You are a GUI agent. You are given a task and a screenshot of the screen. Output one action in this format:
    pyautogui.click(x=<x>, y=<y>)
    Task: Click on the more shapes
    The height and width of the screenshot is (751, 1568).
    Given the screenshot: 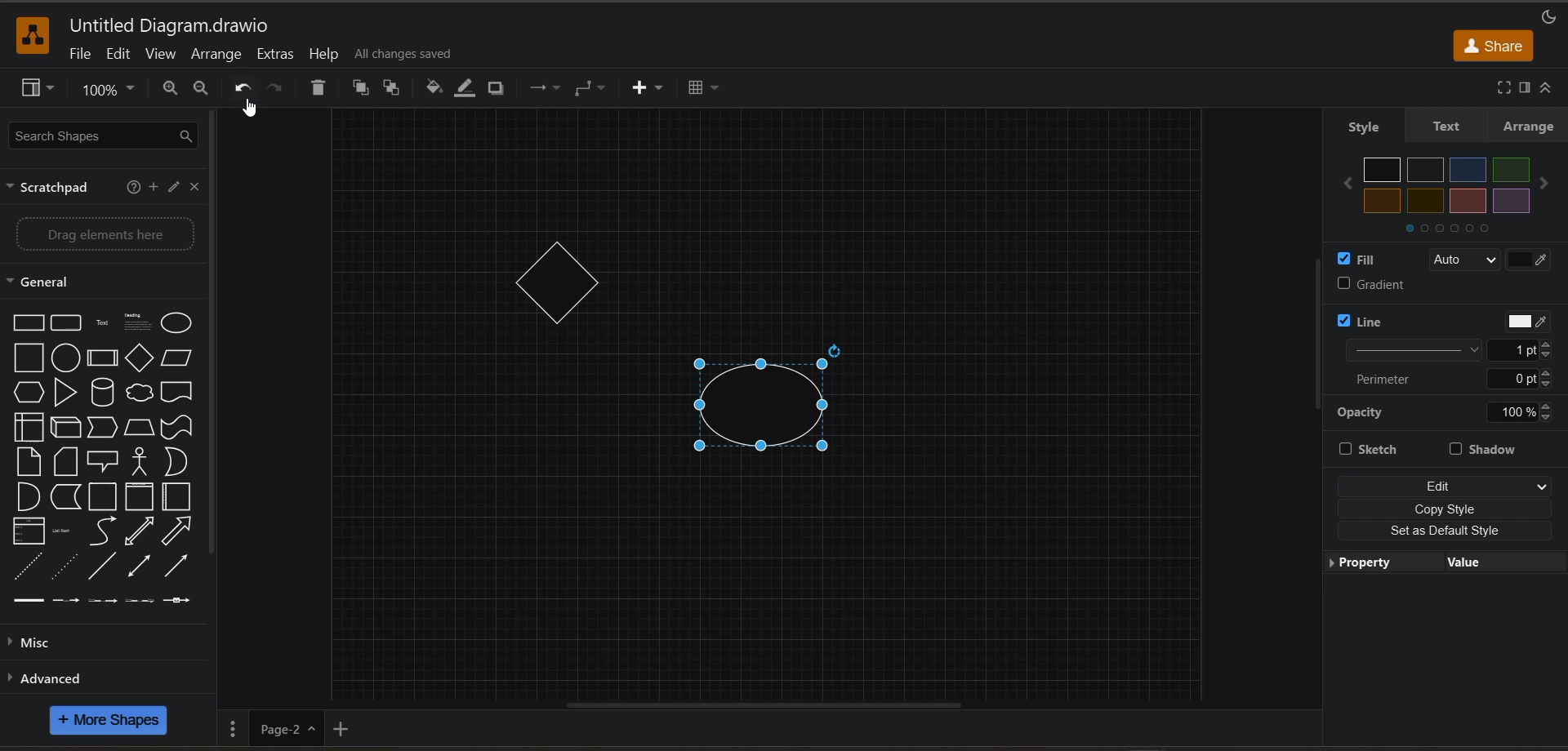 What is the action you would take?
    pyautogui.click(x=113, y=722)
    